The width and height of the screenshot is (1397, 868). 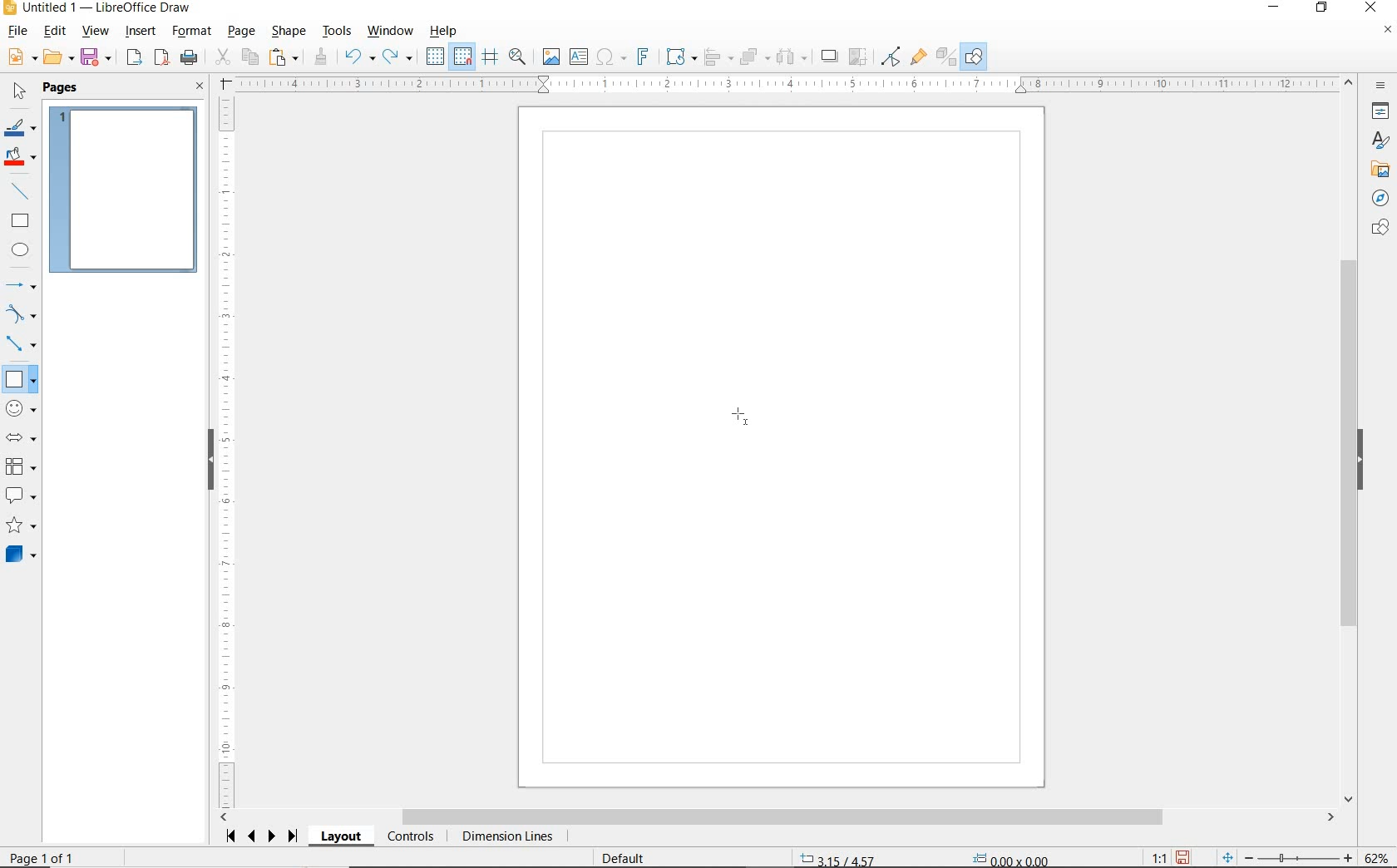 I want to click on INSERT TEXT BOX, so click(x=578, y=57).